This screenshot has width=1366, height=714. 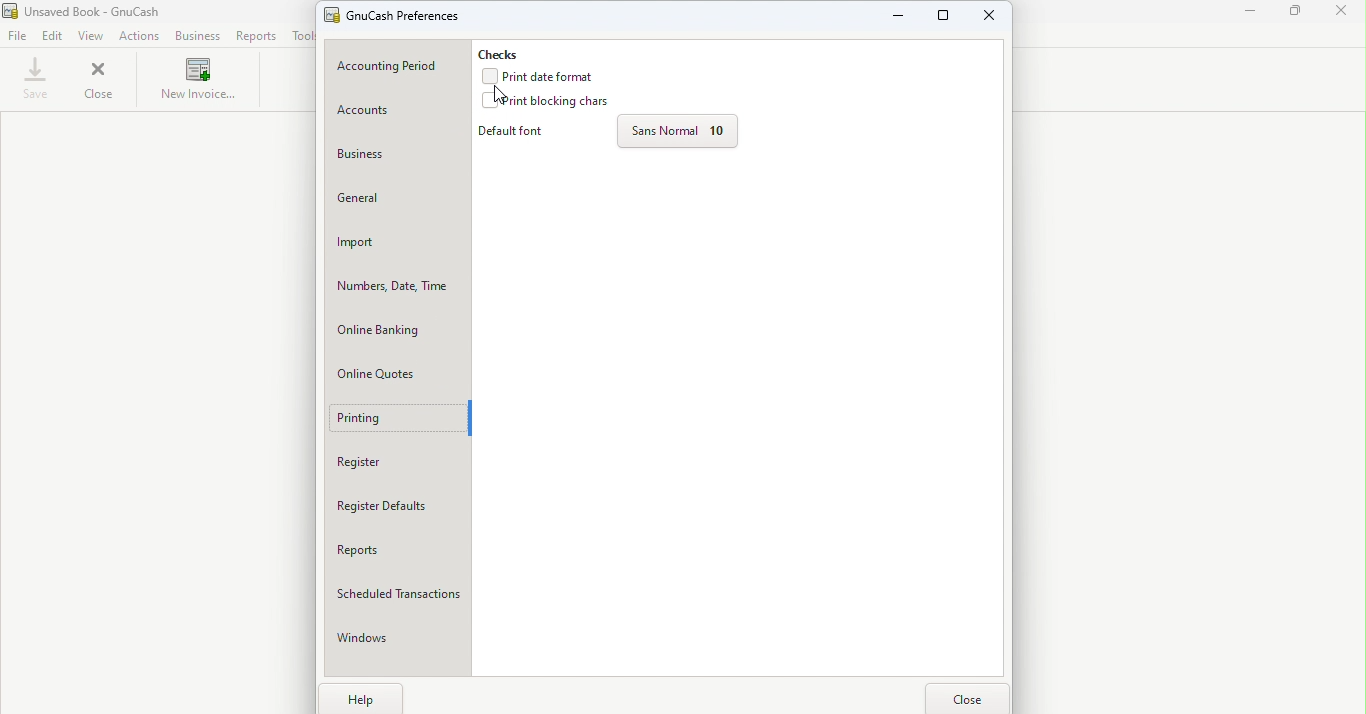 I want to click on Save, so click(x=36, y=79).